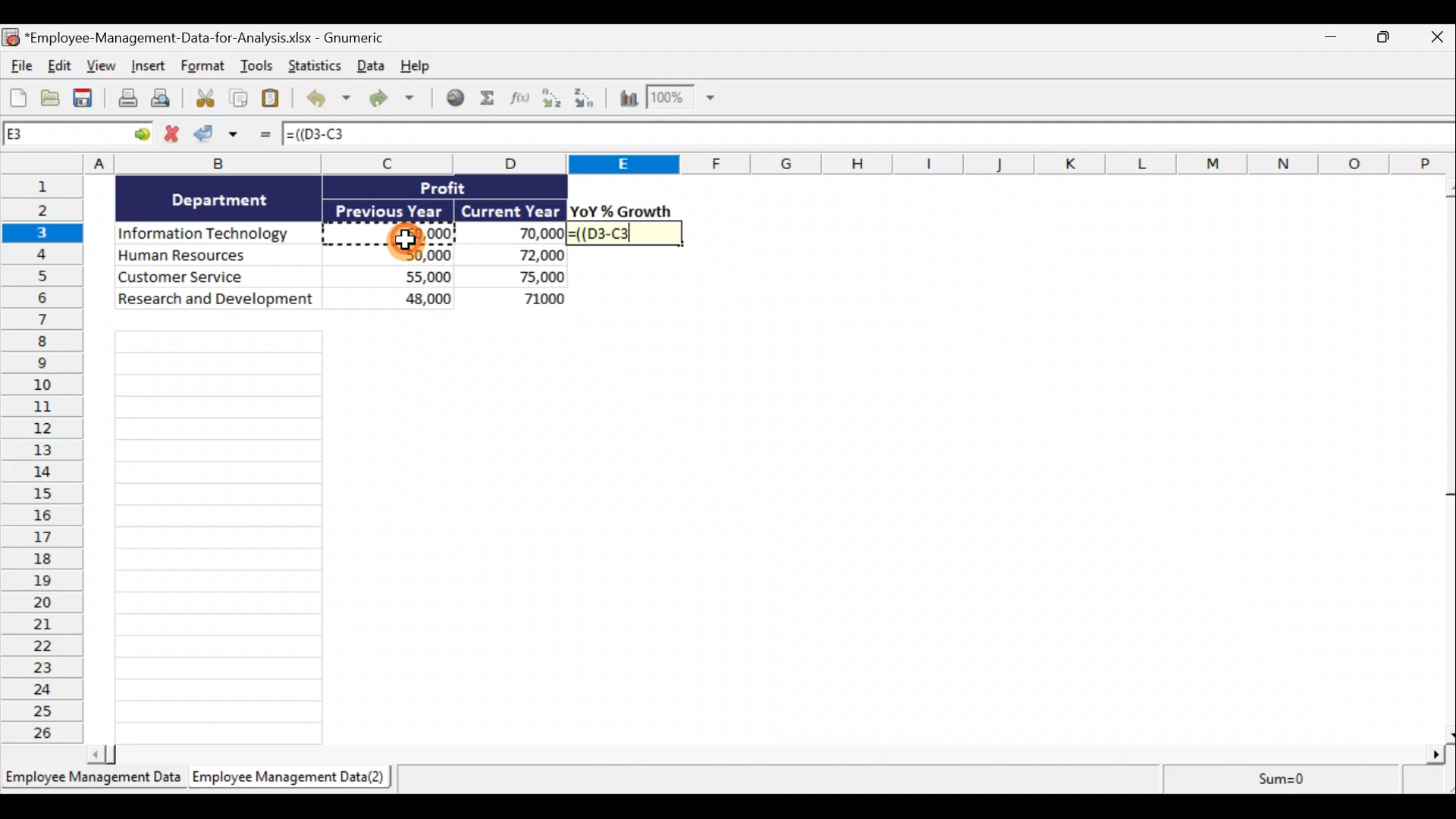 This screenshot has height=819, width=1456. I want to click on Insert, so click(146, 67).